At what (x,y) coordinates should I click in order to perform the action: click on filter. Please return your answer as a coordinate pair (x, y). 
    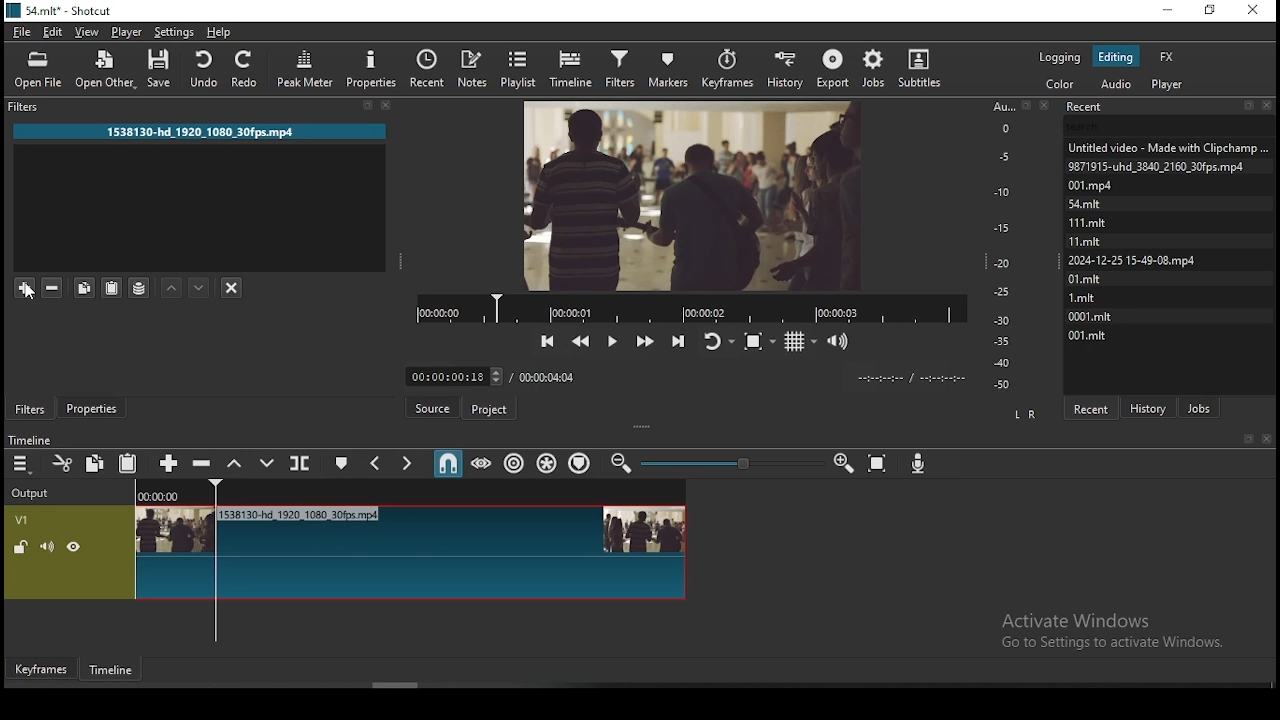
    Looking at the image, I should click on (207, 107).